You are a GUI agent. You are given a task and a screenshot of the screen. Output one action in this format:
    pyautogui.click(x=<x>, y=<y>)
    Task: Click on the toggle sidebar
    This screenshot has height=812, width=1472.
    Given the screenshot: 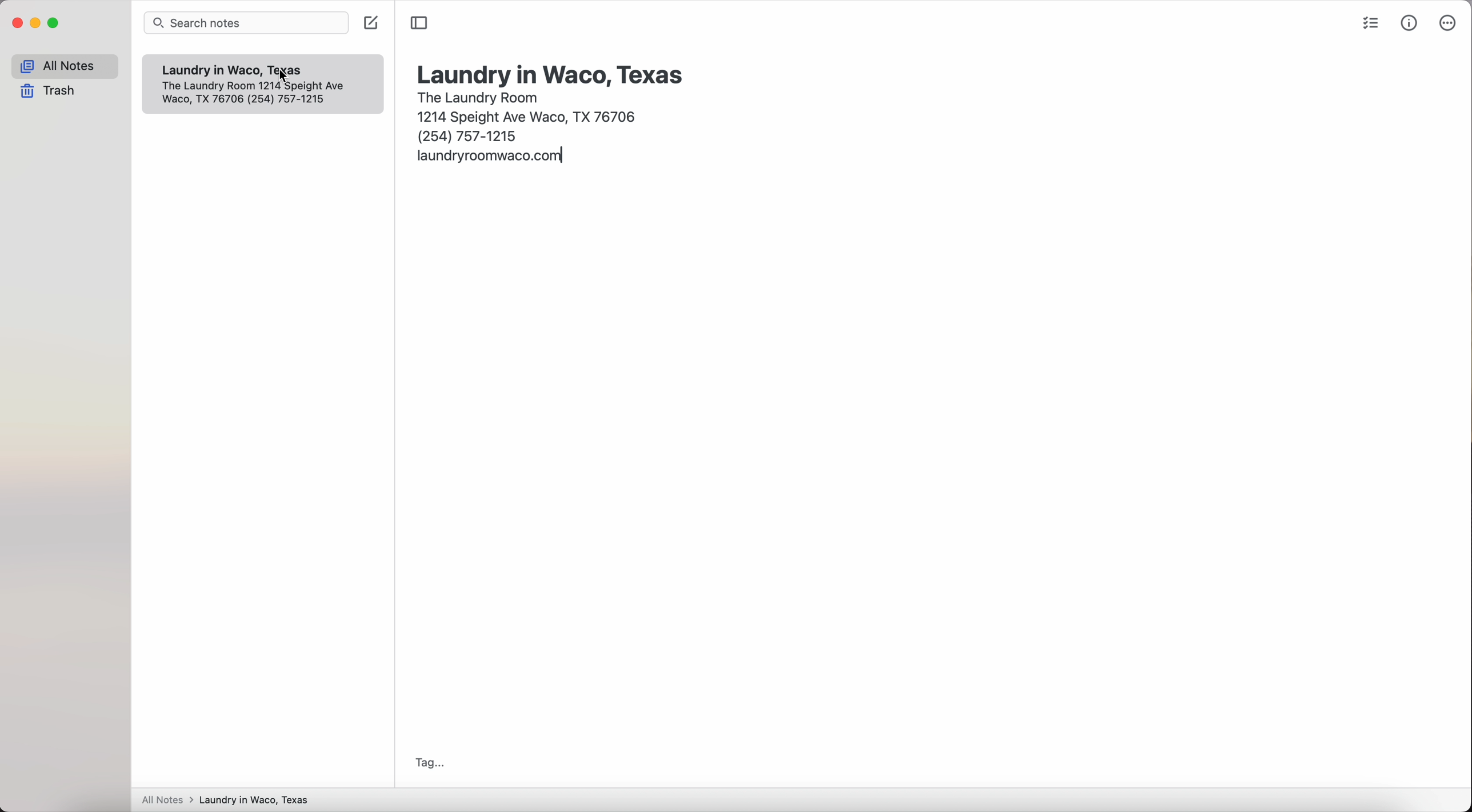 What is the action you would take?
    pyautogui.click(x=419, y=23)
    